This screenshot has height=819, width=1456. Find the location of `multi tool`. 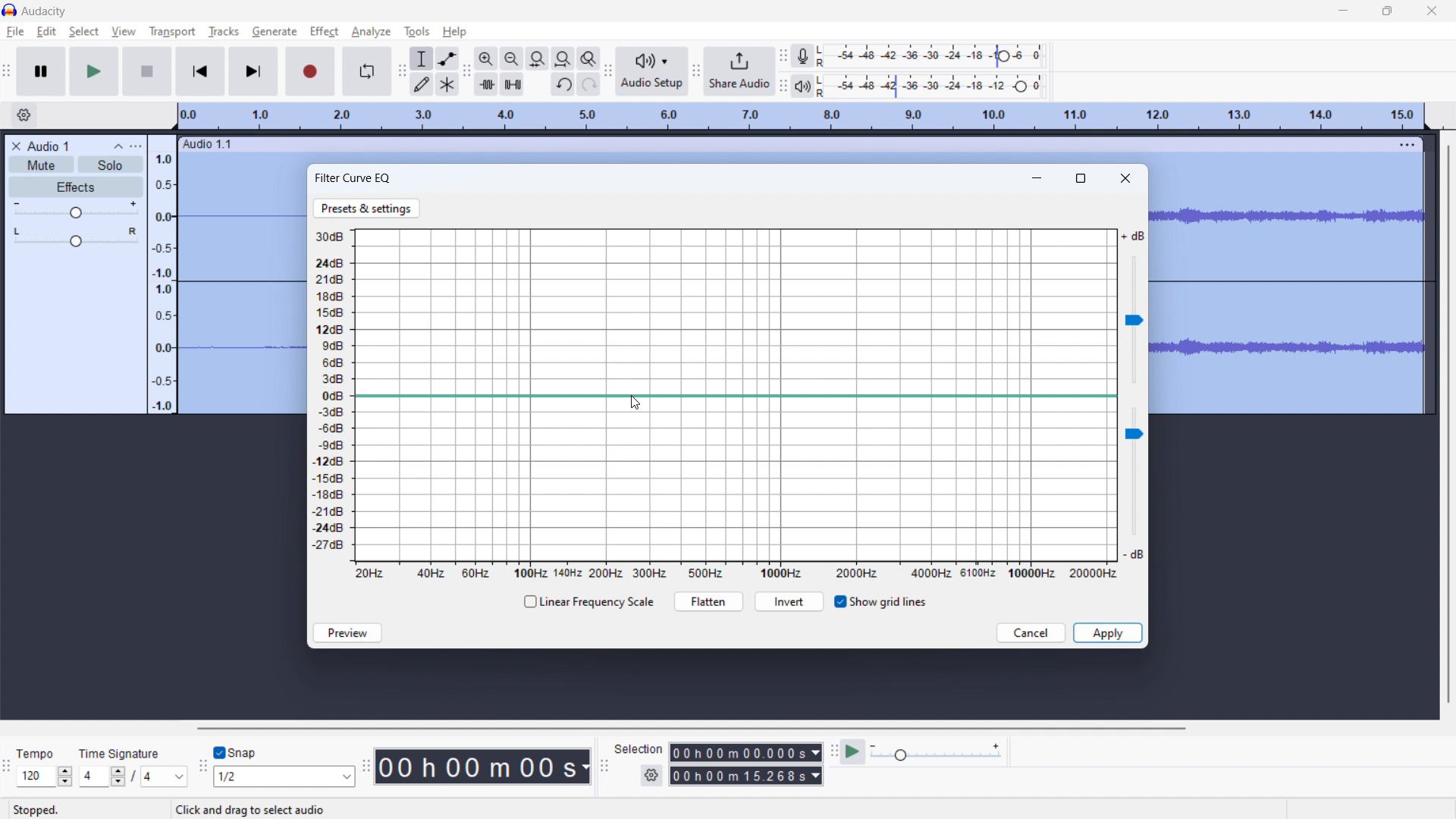

multi tool is located at coordinates (447, 83).